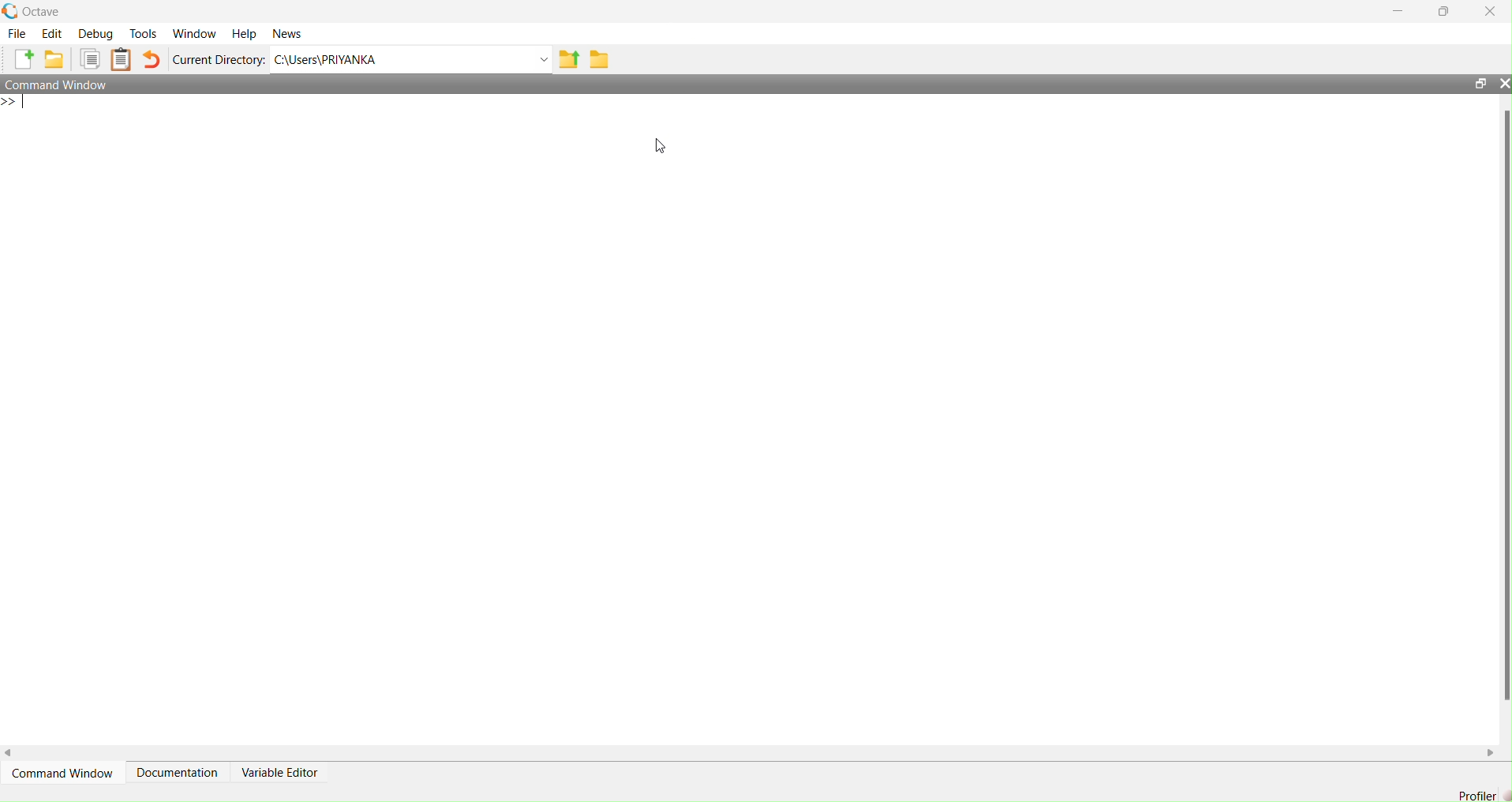  I want to click on File, so click(20, 36).